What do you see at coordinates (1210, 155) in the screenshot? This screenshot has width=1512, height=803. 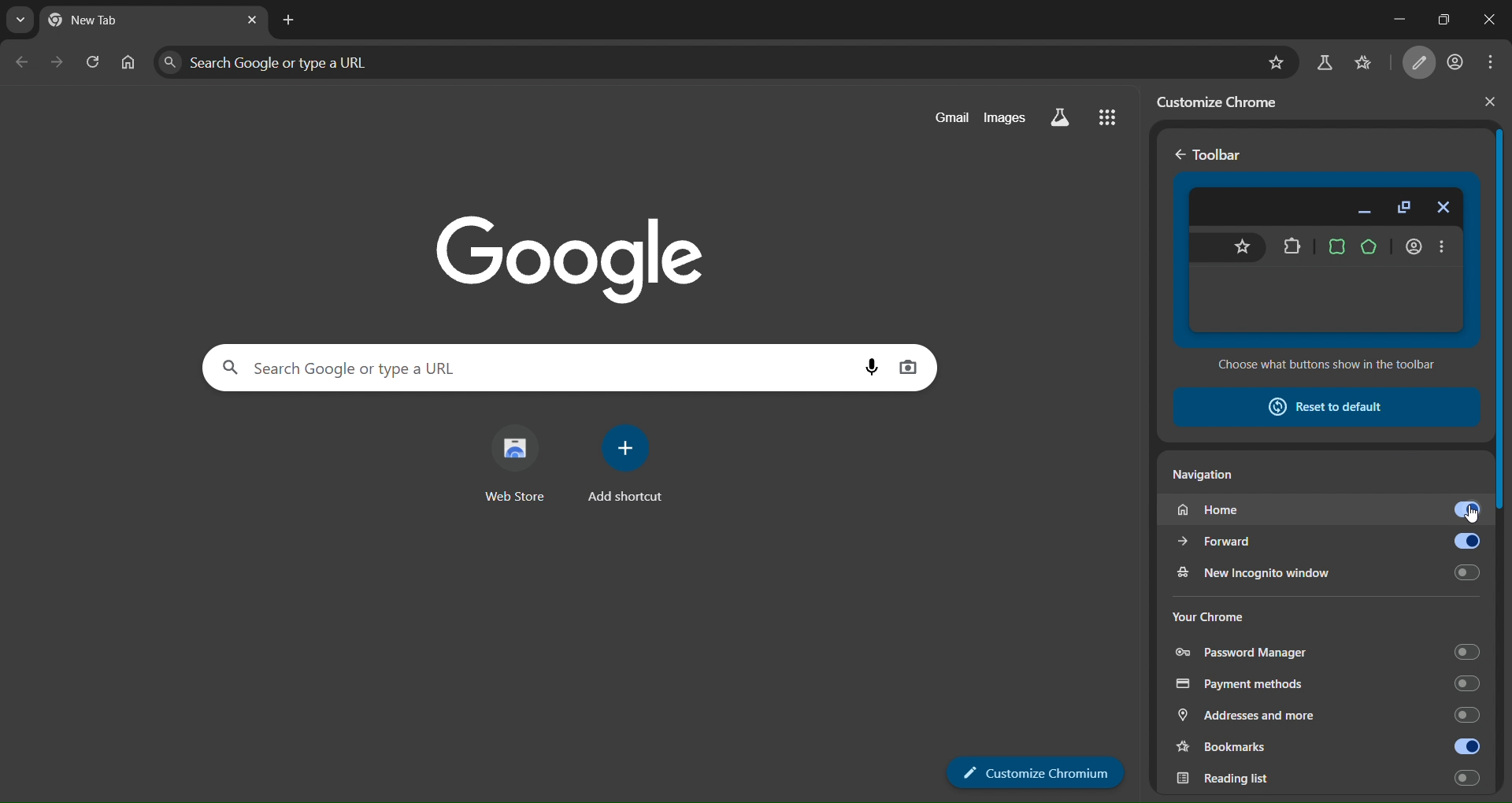 I see ` Toolbar` at bounding box center [1210, 155].